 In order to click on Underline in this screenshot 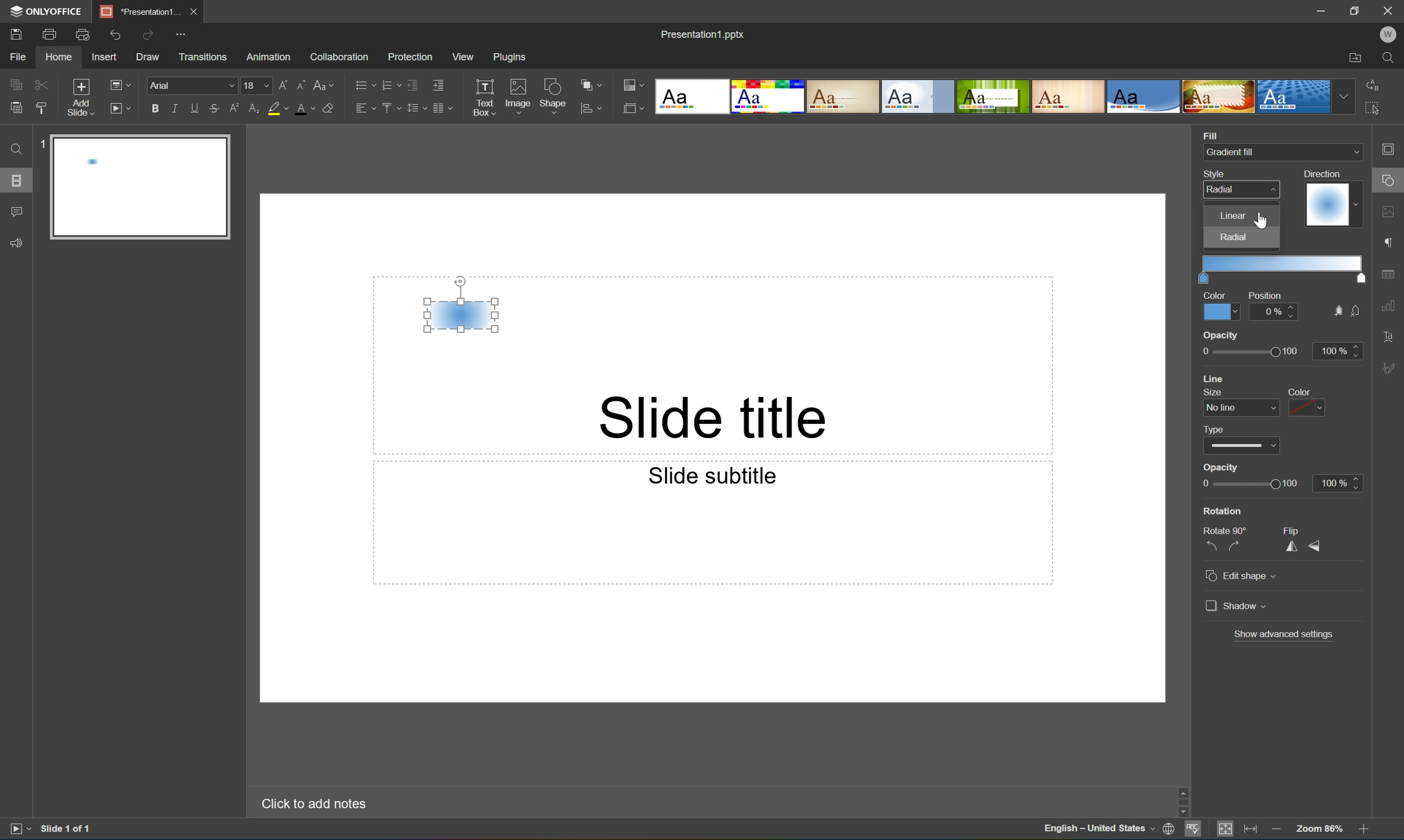, I will do `click(195, 106)`.